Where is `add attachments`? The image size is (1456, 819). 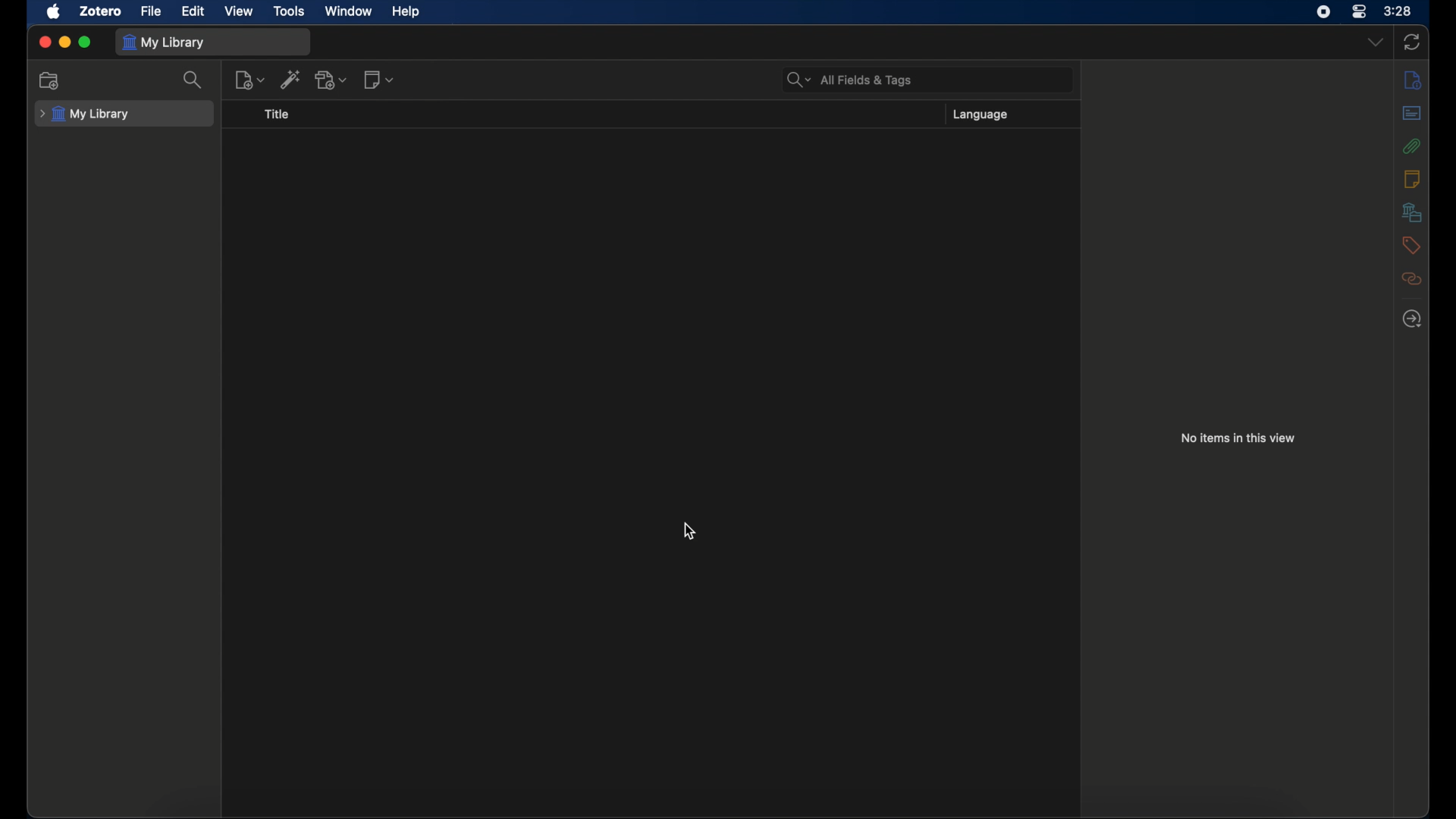 add attachments is located at coordinates (331, 80).